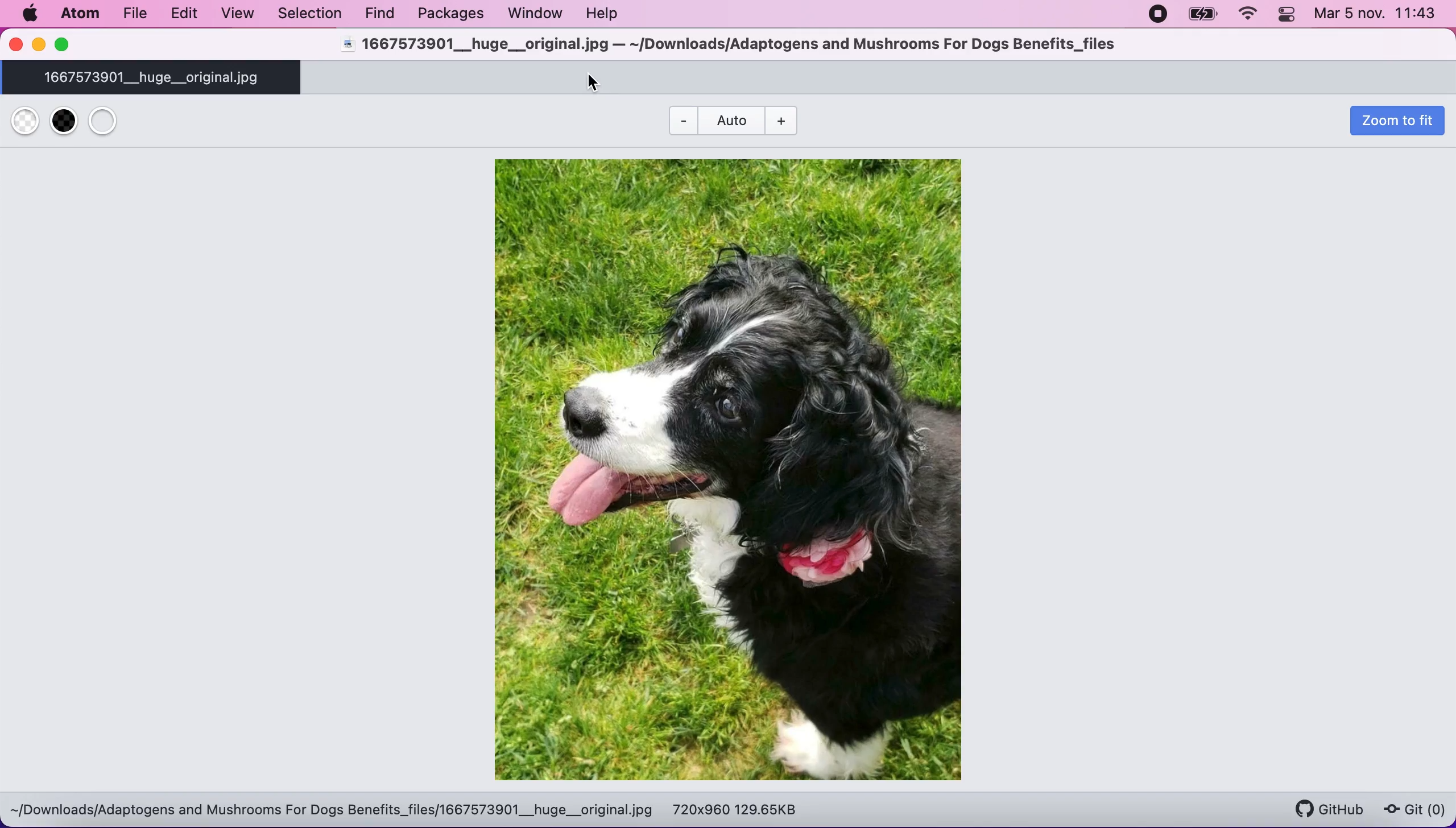 The width and height of the screenshot is (1456, 828). What do you see at coordinates (1378, 16) in the screenshot?
I see `Mar 5 nov. 11:42` at bounding box center [1378, 16].